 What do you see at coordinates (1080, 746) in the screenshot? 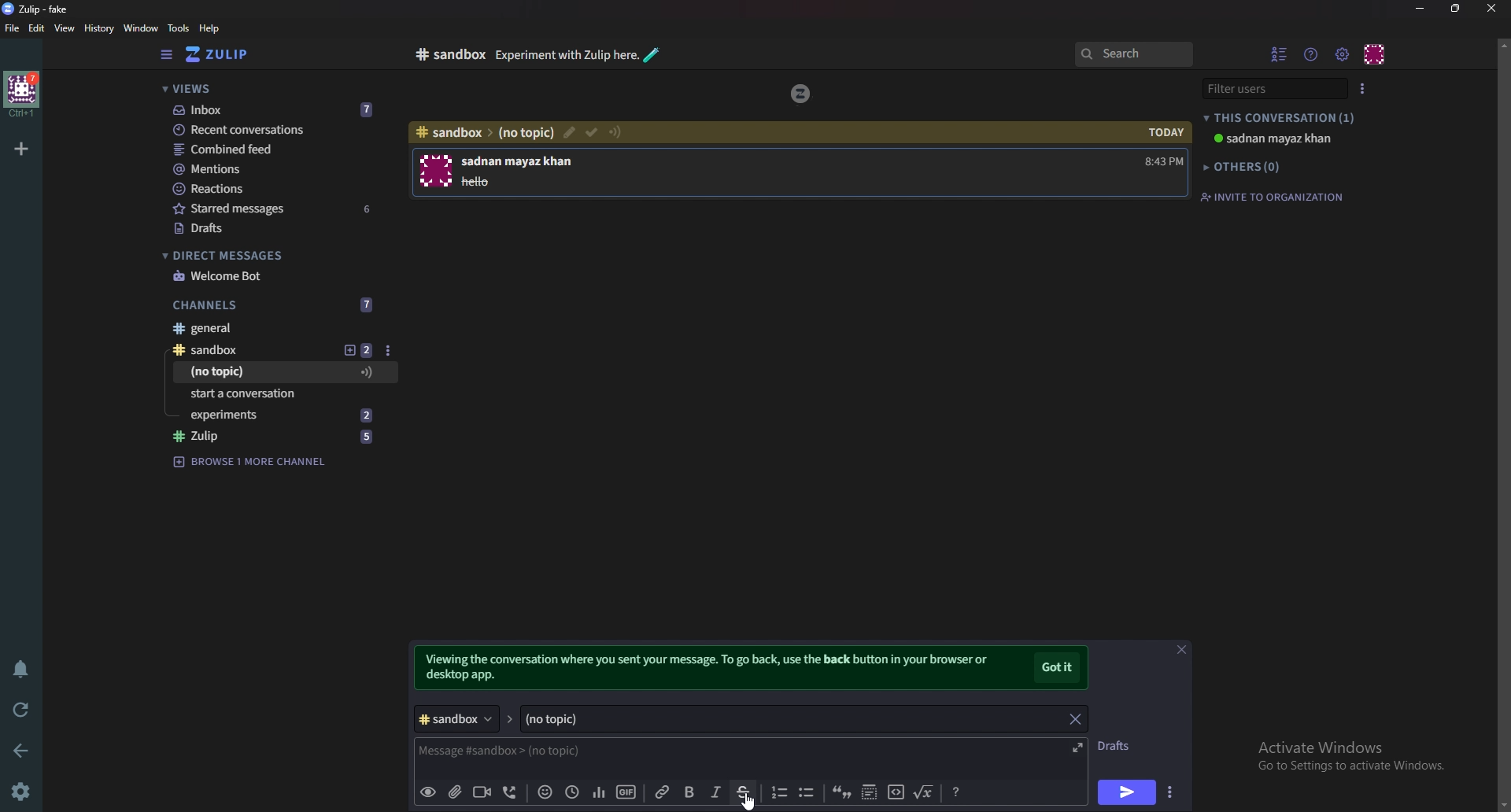
I see `Expand` at bounding box center [1080, 746].